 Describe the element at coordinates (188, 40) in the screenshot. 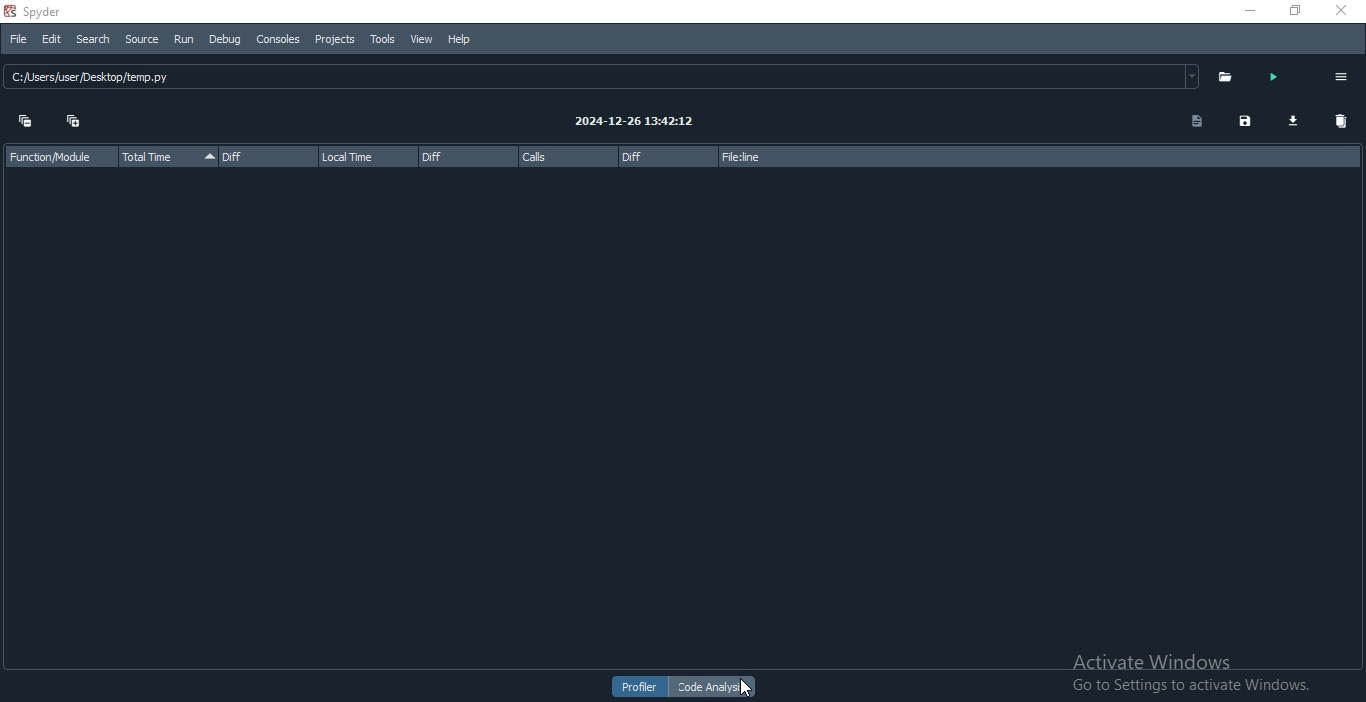

I see `run` at that location.